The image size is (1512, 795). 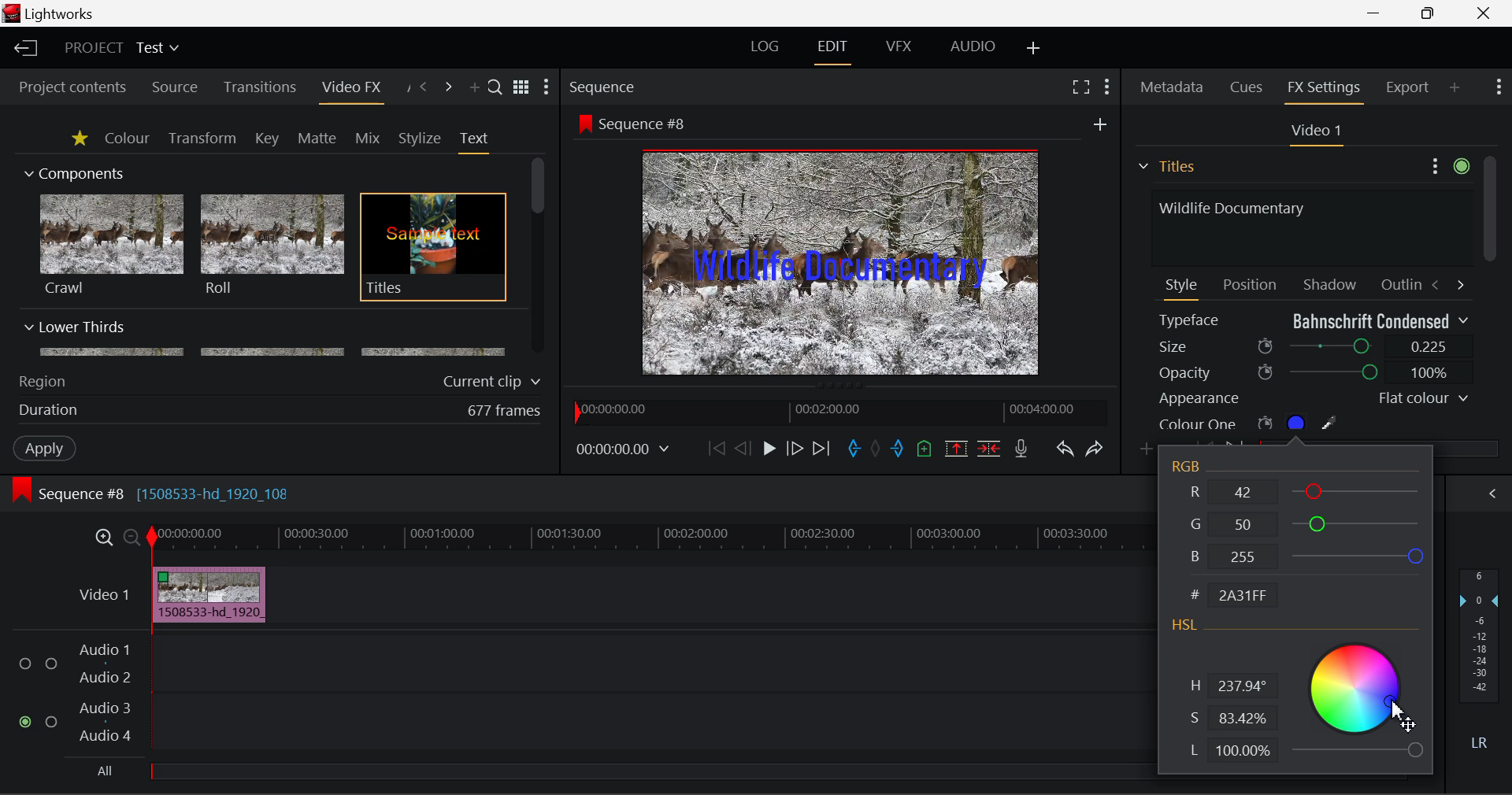 What do you see at coordinates (422, 88) in the screenshot?
I see `Previous Panel` at bounding box center [422, 88].